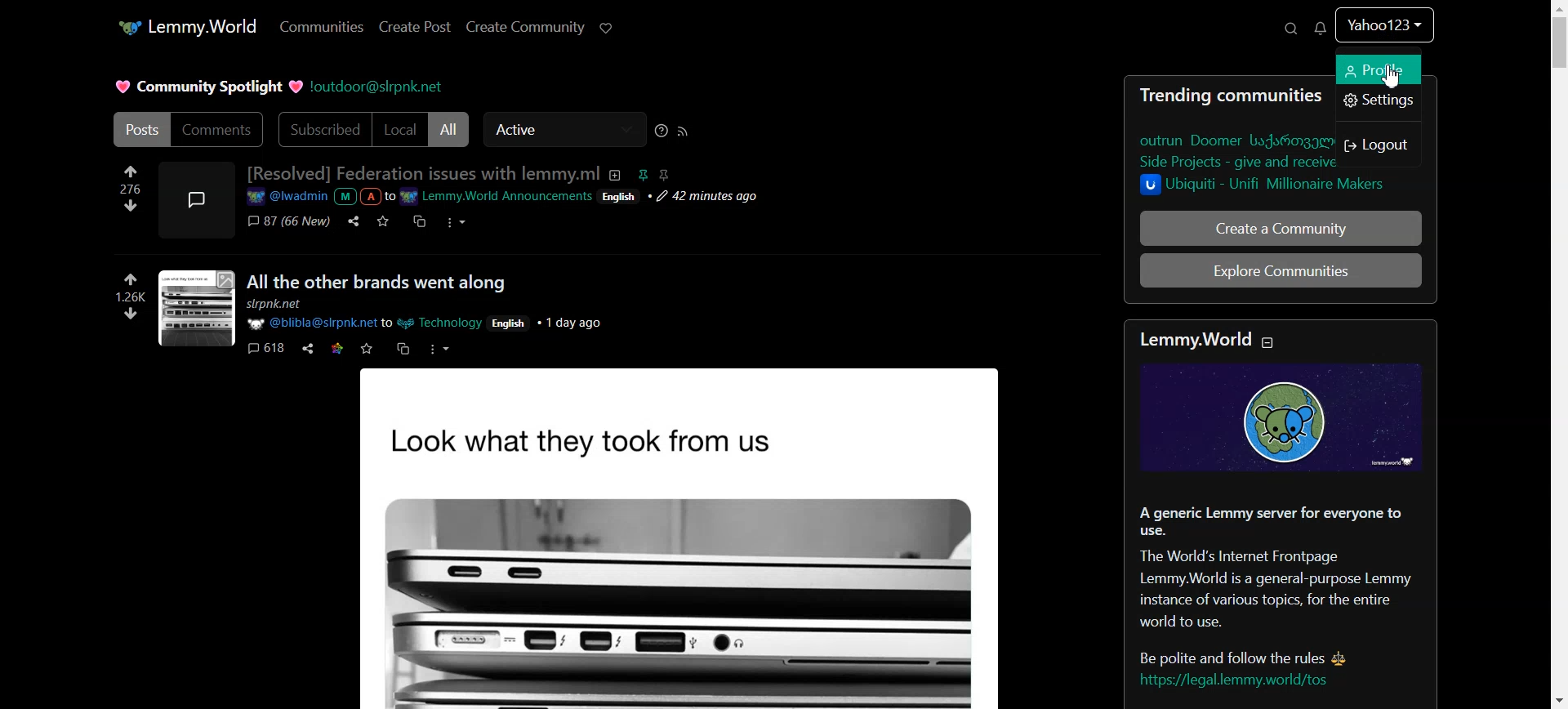  What do you see at coordinates (367, 349) in the screenshot?
I see `w` at bounding box center [367, 349].